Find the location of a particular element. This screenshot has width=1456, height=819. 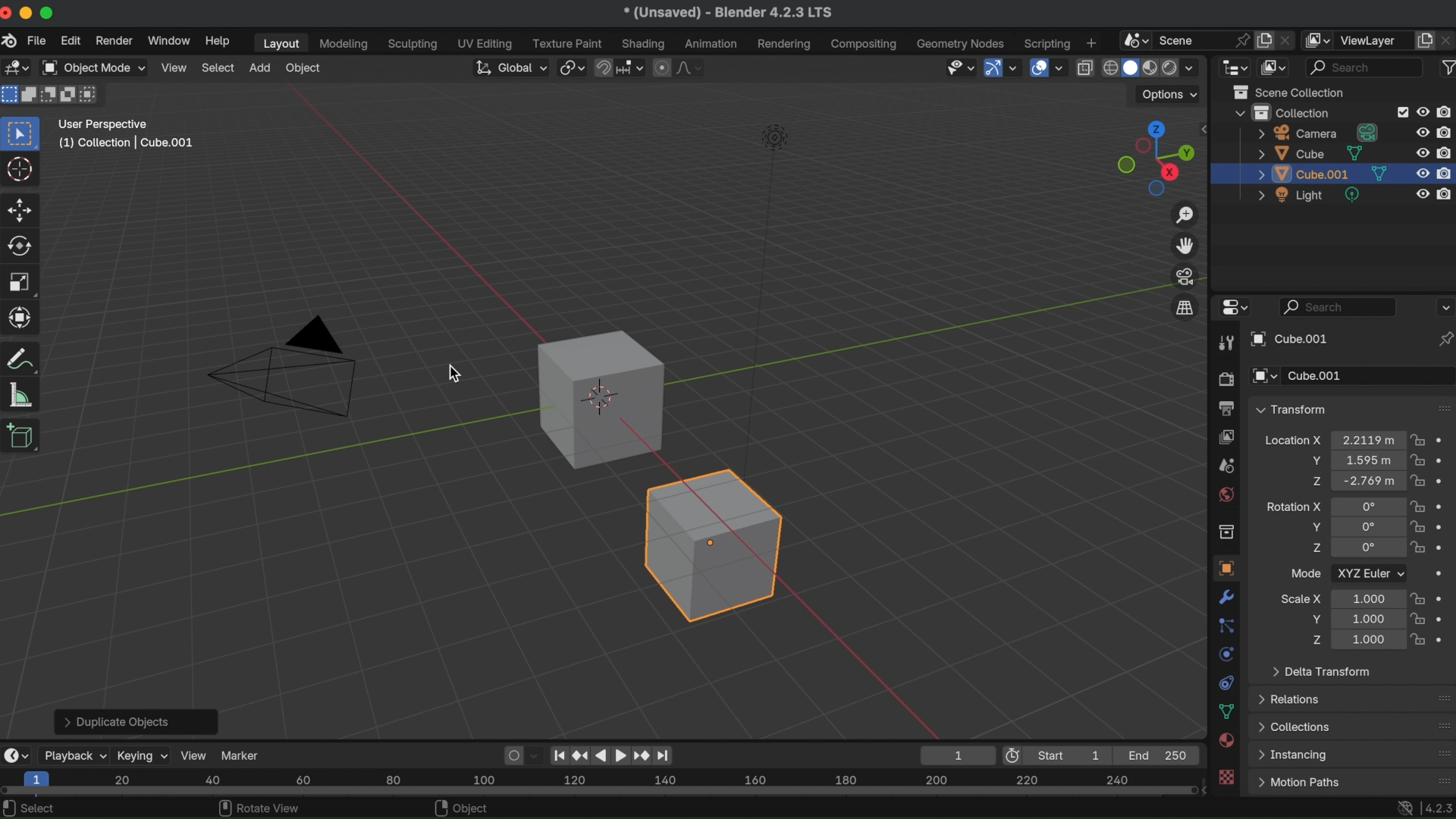

lock location is located at coordinates (1418, 481).